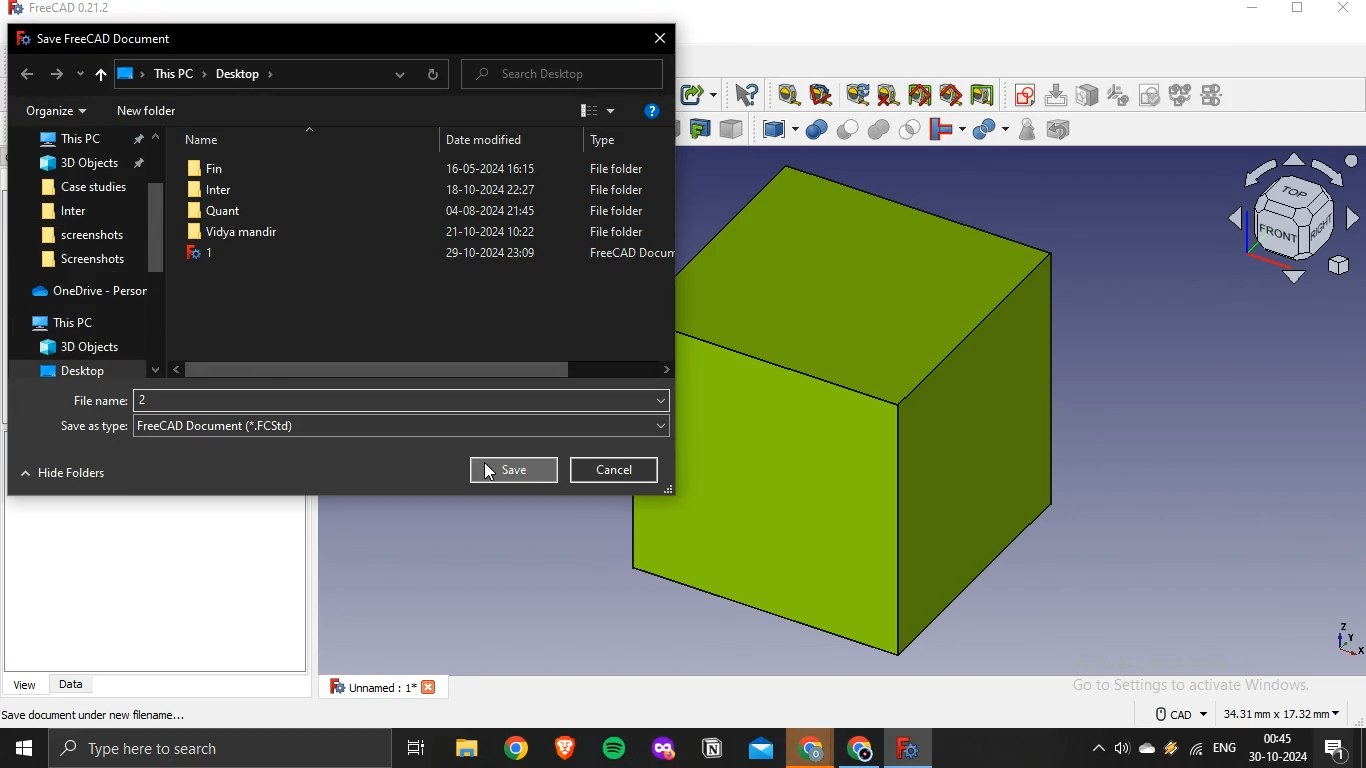 This screenshot has width=1366, height=768. Describe the element at coordinates (74, 165) in the screenshot. I see `3d objects` at that location.